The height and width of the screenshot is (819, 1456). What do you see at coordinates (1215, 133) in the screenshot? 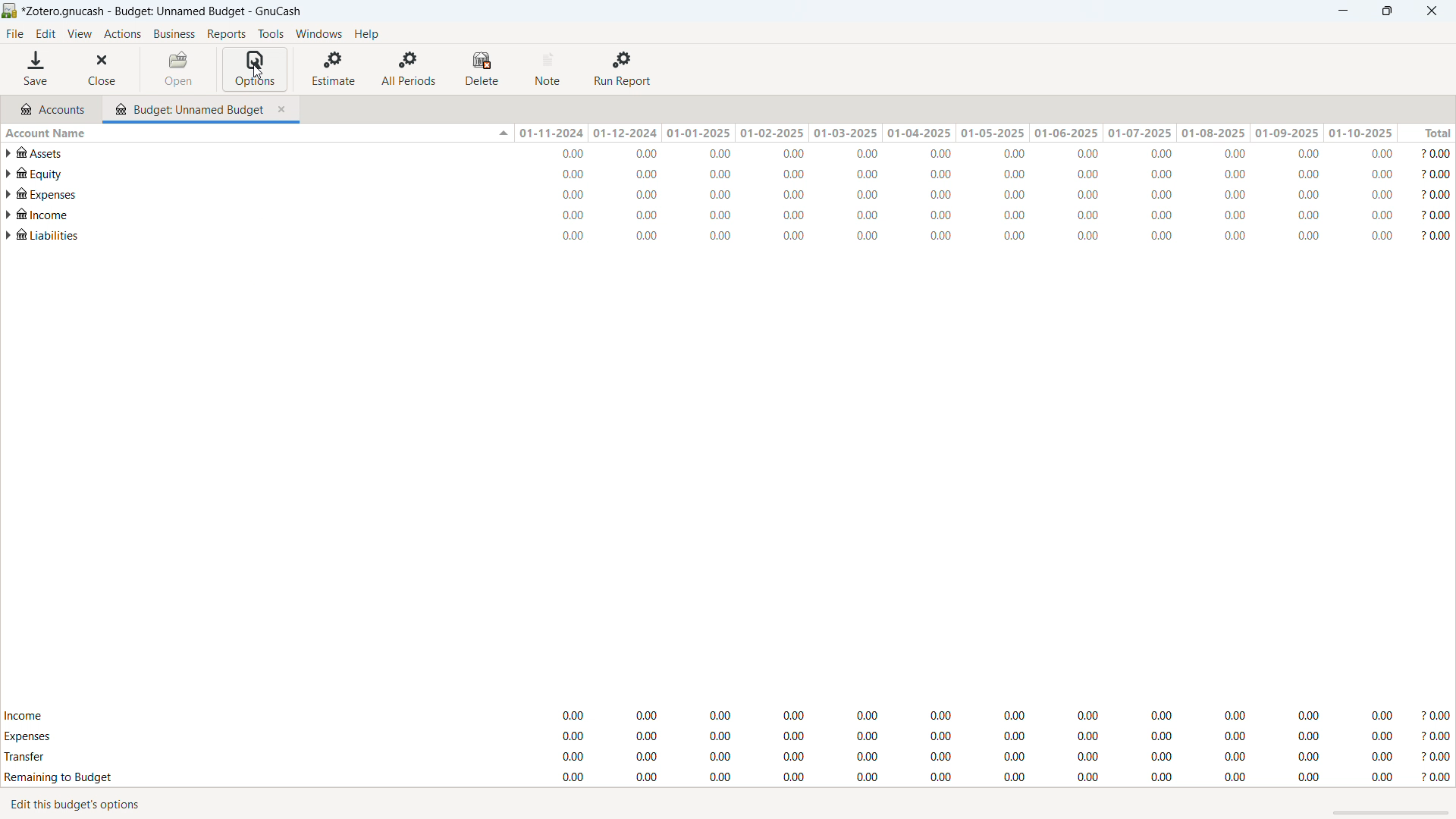
I see `01-08-2025` at bounding box center [1215, 133].